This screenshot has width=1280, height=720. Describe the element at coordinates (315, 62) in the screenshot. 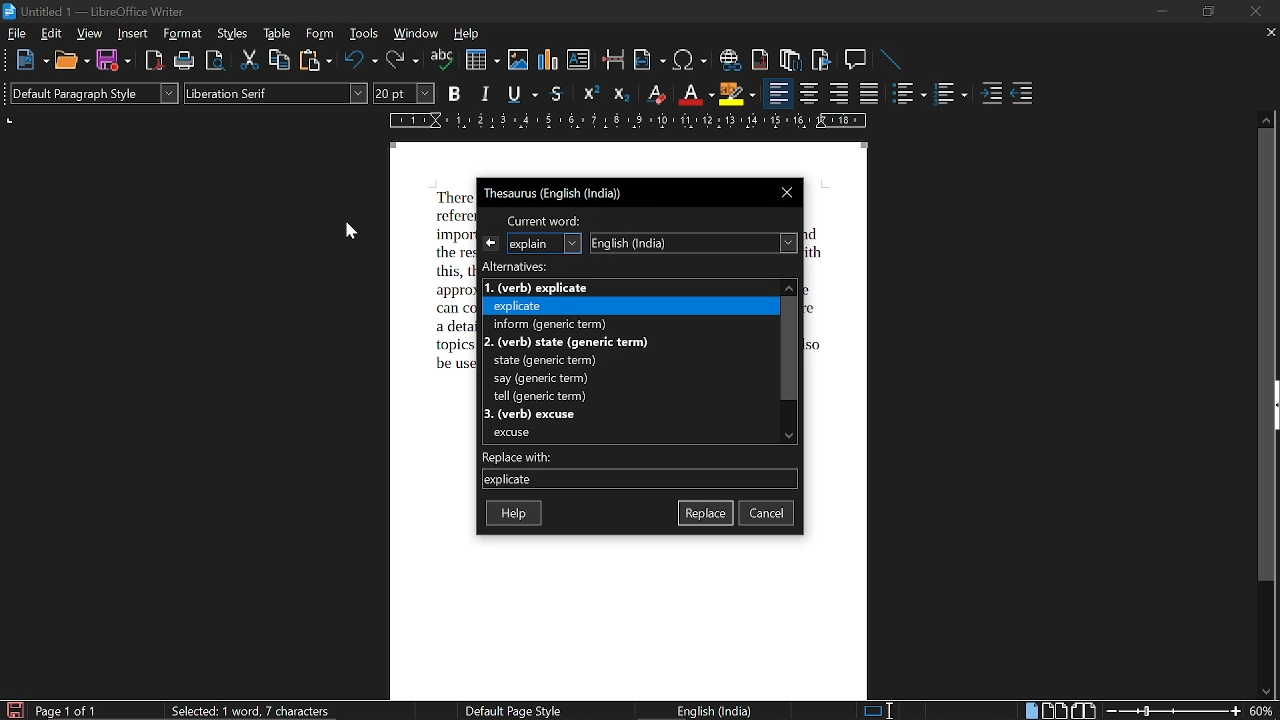

I see `paste` at that location.